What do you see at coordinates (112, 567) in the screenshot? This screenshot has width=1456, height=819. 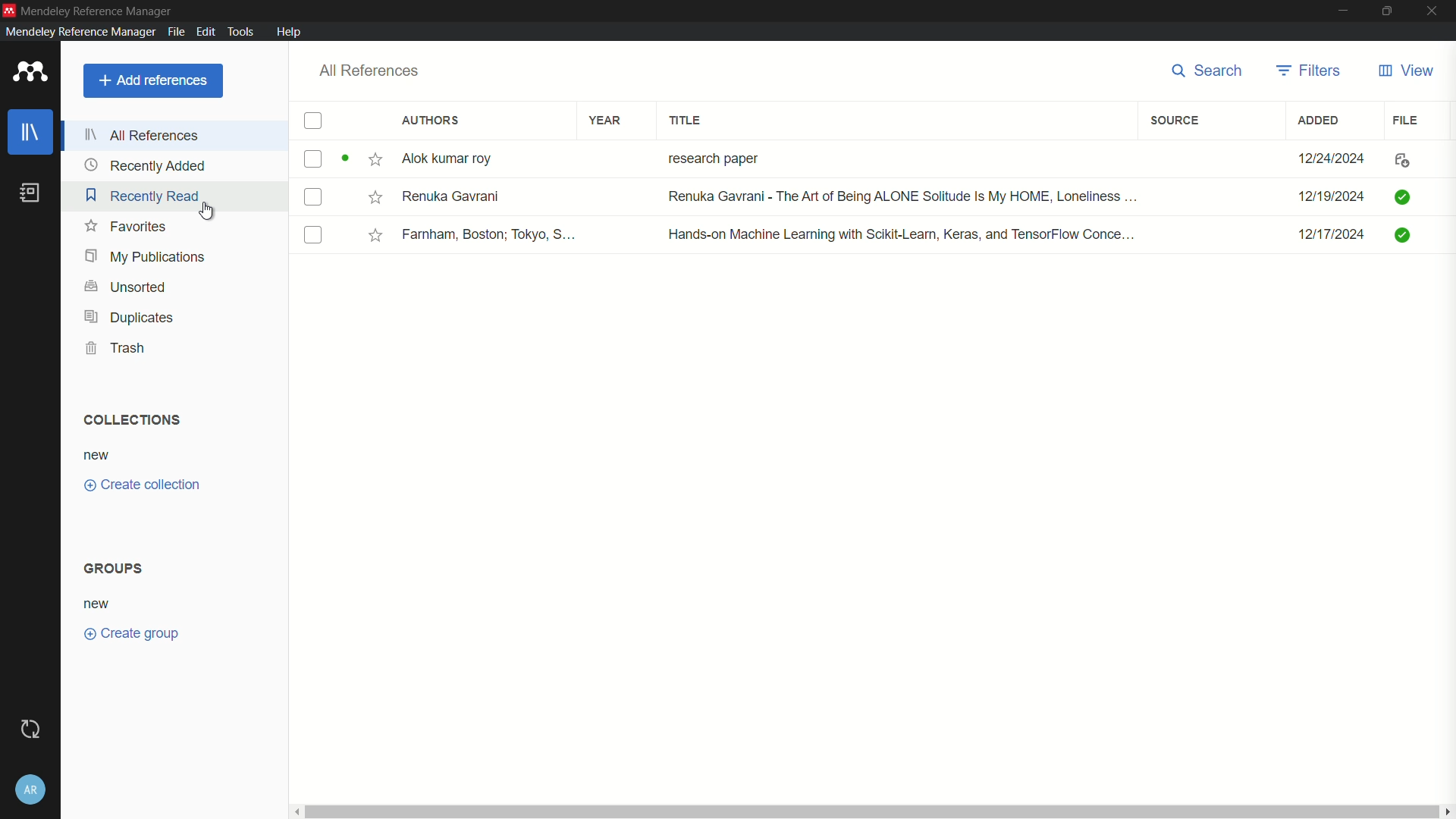 I see `groups` at bounding box center [112, 567].